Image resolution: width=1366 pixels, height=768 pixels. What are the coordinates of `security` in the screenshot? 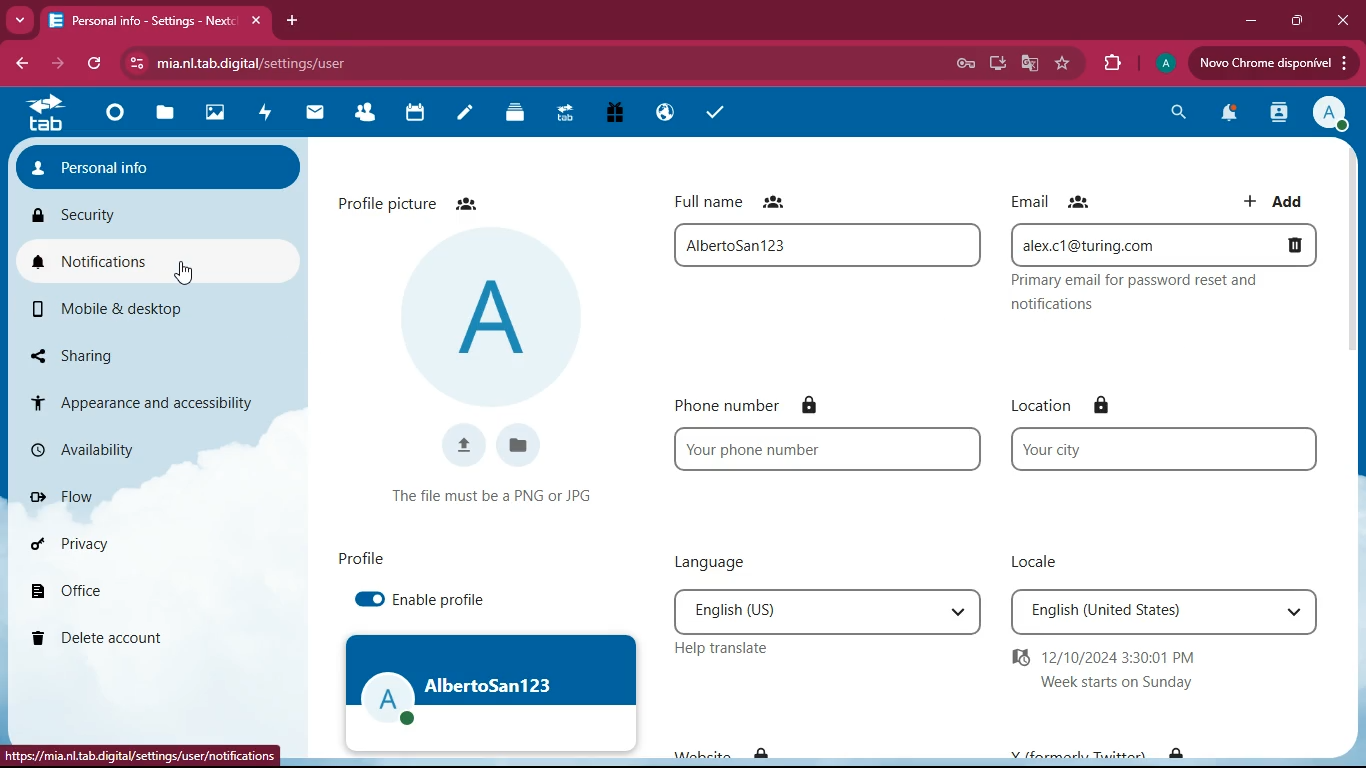 It's located at (77, 216).